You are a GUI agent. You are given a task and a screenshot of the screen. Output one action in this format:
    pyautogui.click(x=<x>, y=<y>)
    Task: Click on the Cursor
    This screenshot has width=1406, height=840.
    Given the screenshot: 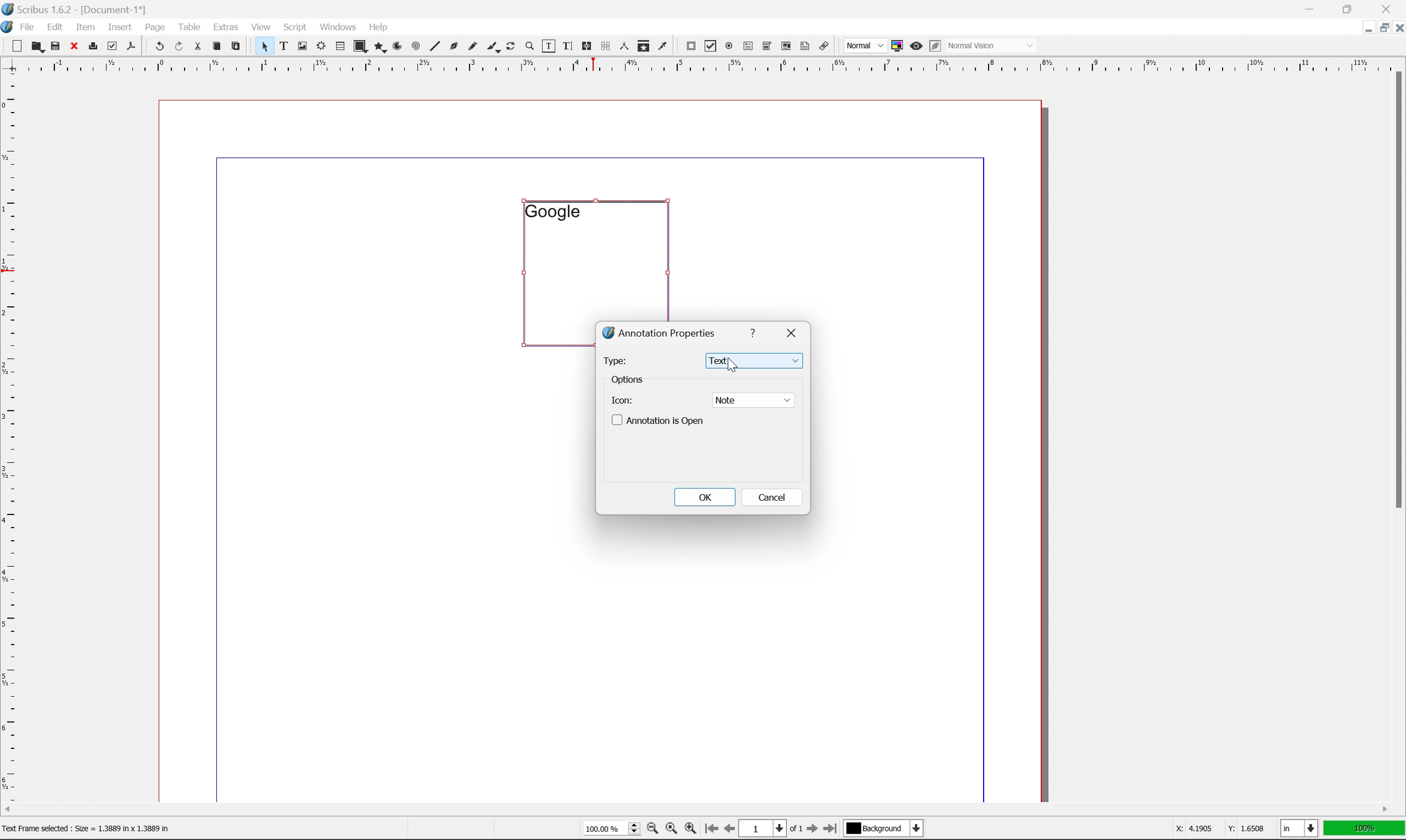 What is the action you would take?
    pyautogui.click(x=729, y=366)
    